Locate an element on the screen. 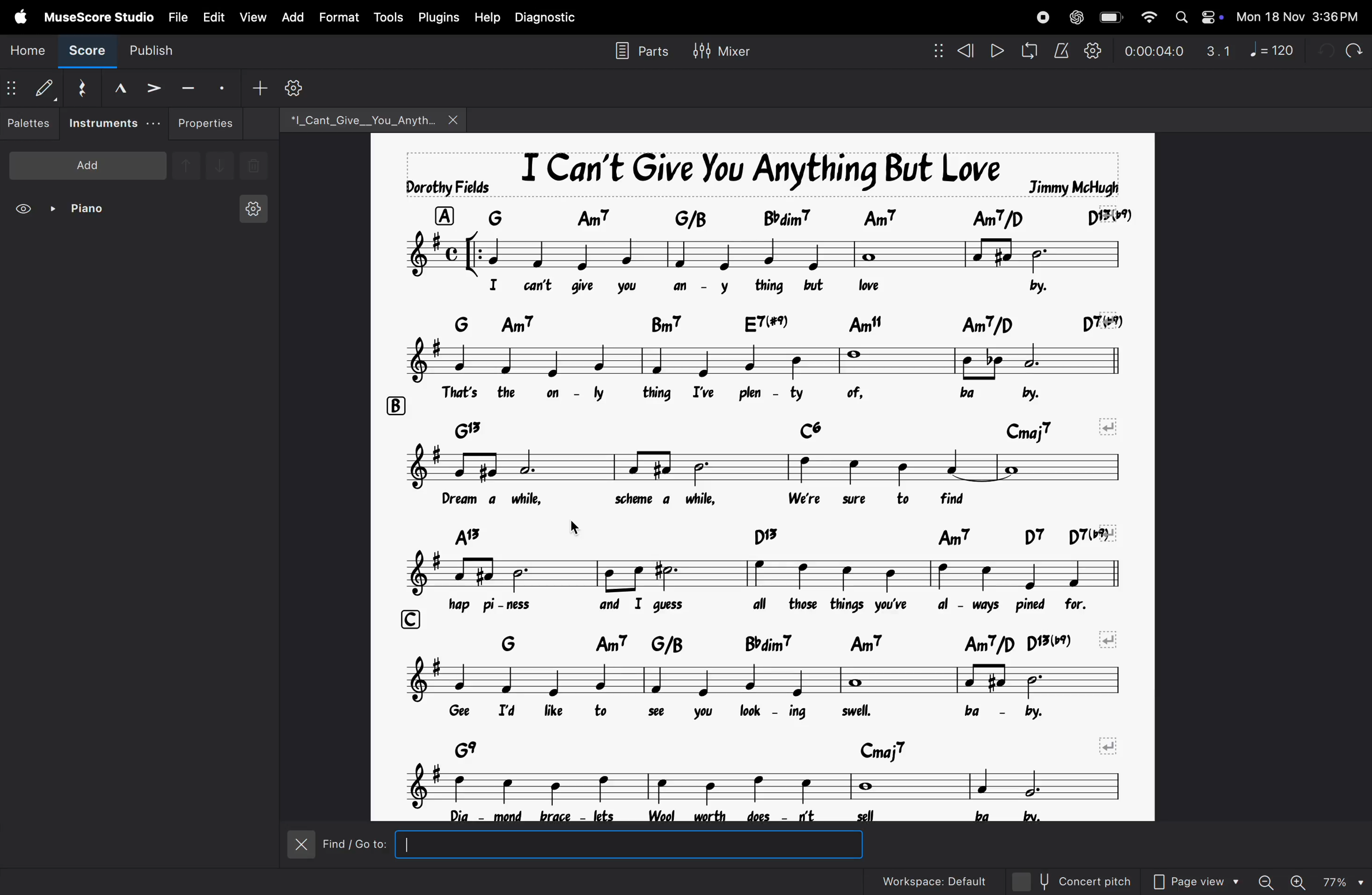  tools is located at coordinates (386, 18).